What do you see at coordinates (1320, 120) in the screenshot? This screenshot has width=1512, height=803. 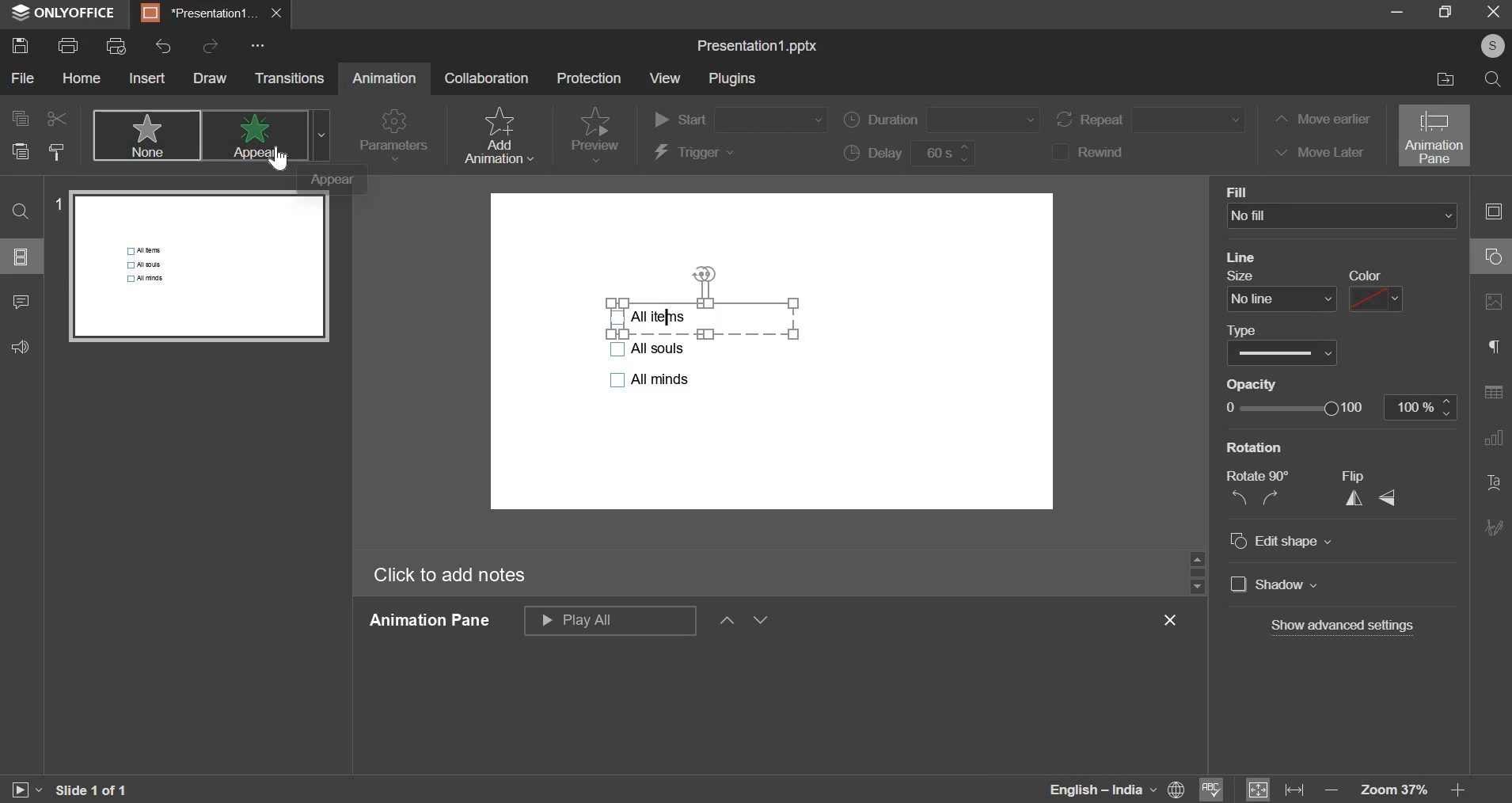 I see `move earlier` at bounding box center [1320, 120].